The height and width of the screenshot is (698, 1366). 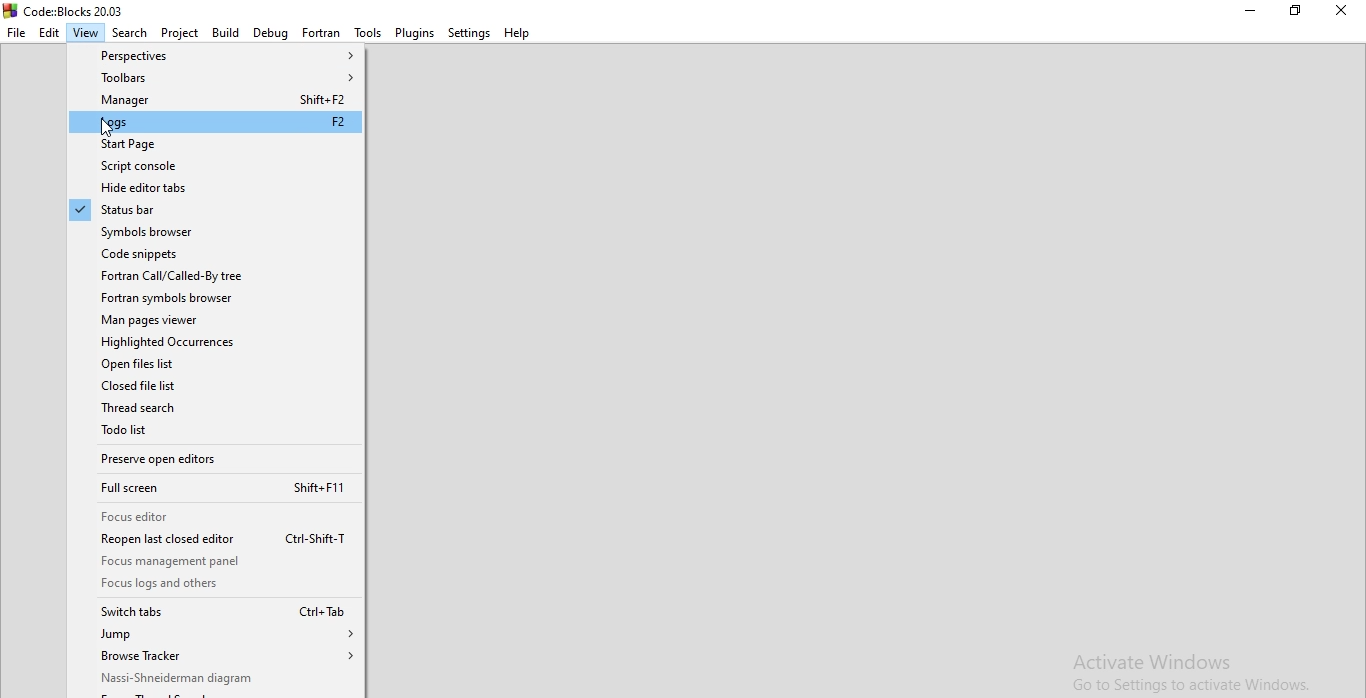 I want to click on File, so click(x=16, y=32).